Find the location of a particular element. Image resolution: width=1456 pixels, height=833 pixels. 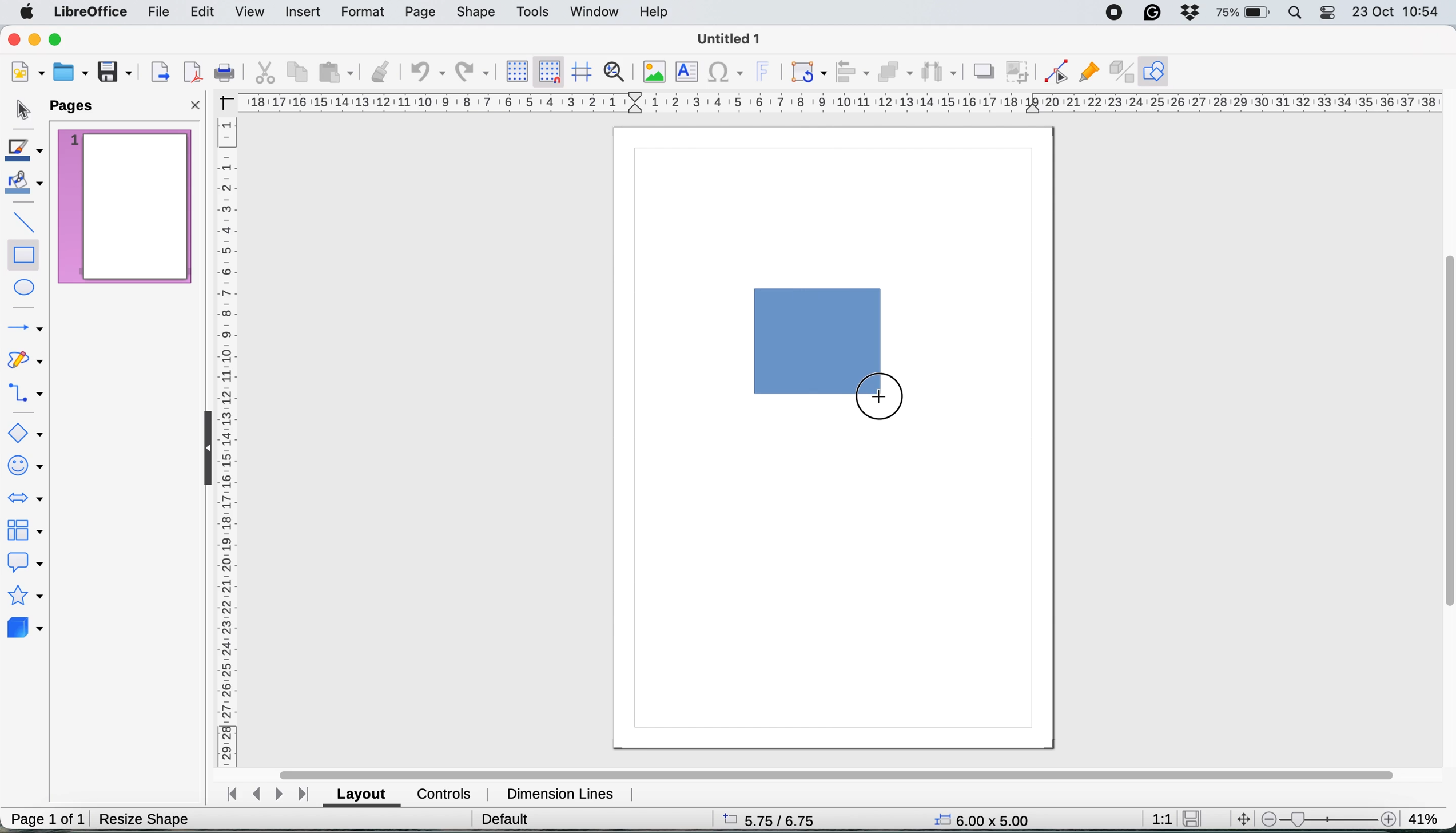

maximise is located at coordinates (55, 37).